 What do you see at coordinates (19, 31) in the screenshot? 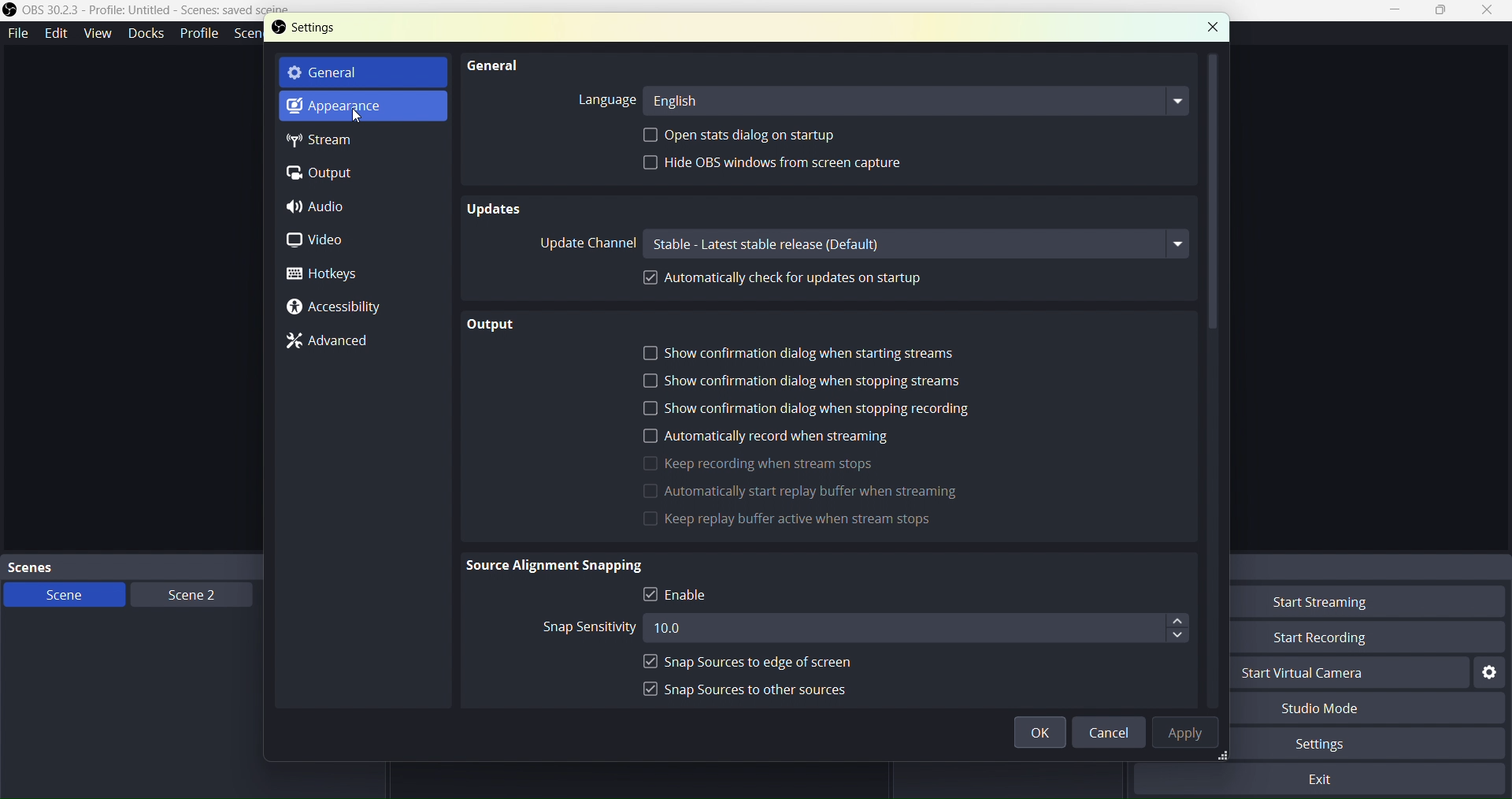
I see `File` at bounding box center [19, 31].